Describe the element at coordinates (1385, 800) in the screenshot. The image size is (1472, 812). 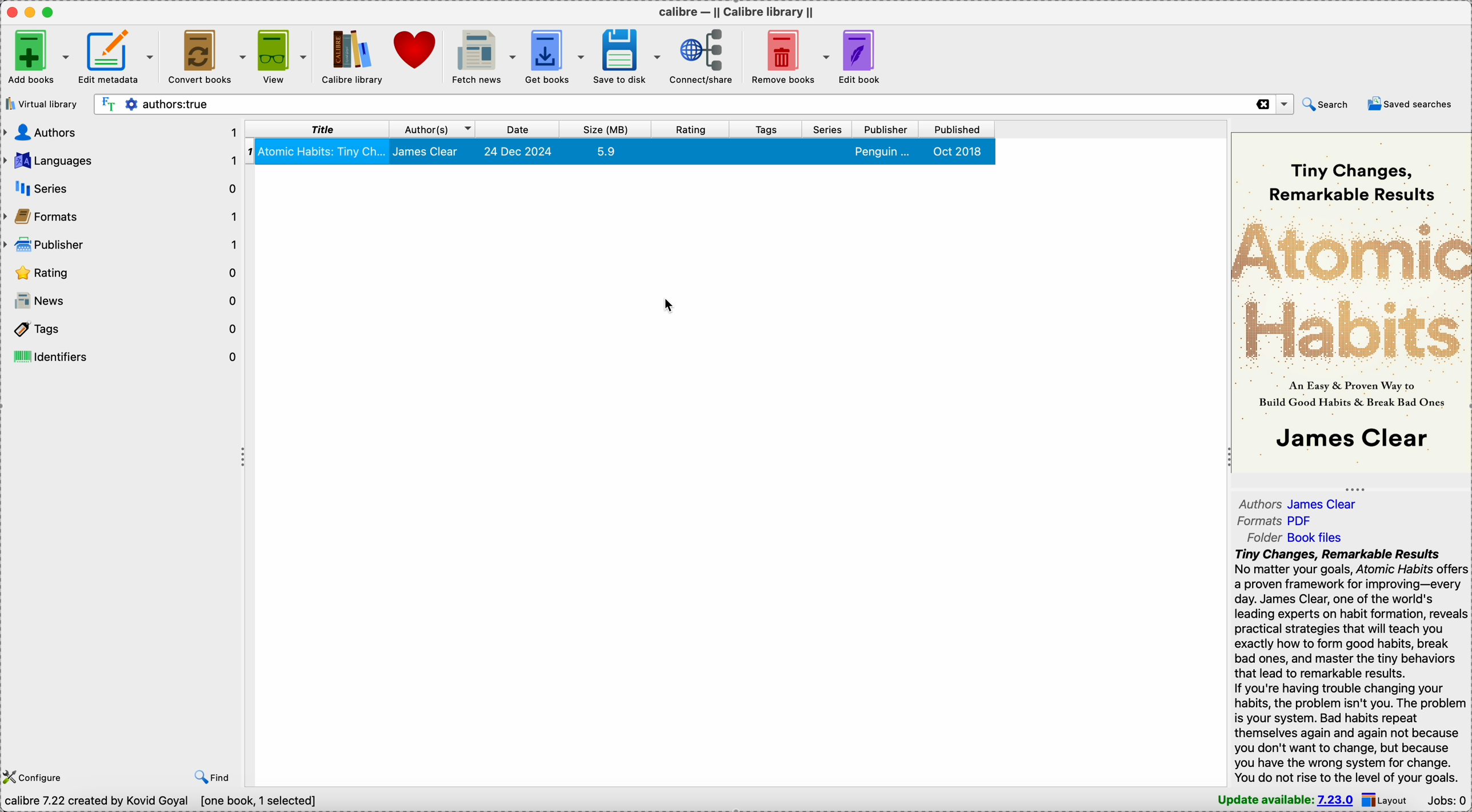
I see `layout` at that location.